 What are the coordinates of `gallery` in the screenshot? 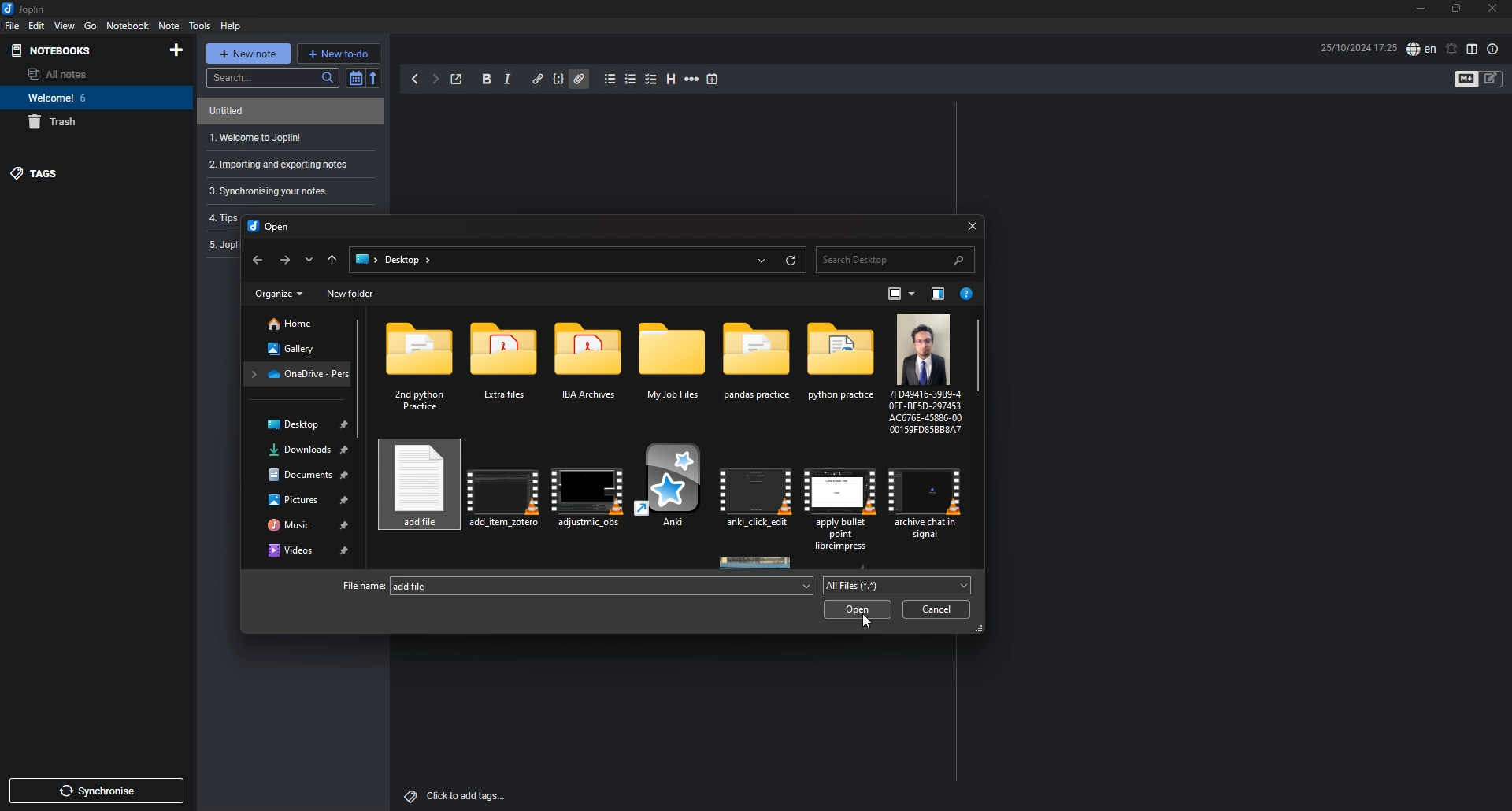 It's located at (296, 348).